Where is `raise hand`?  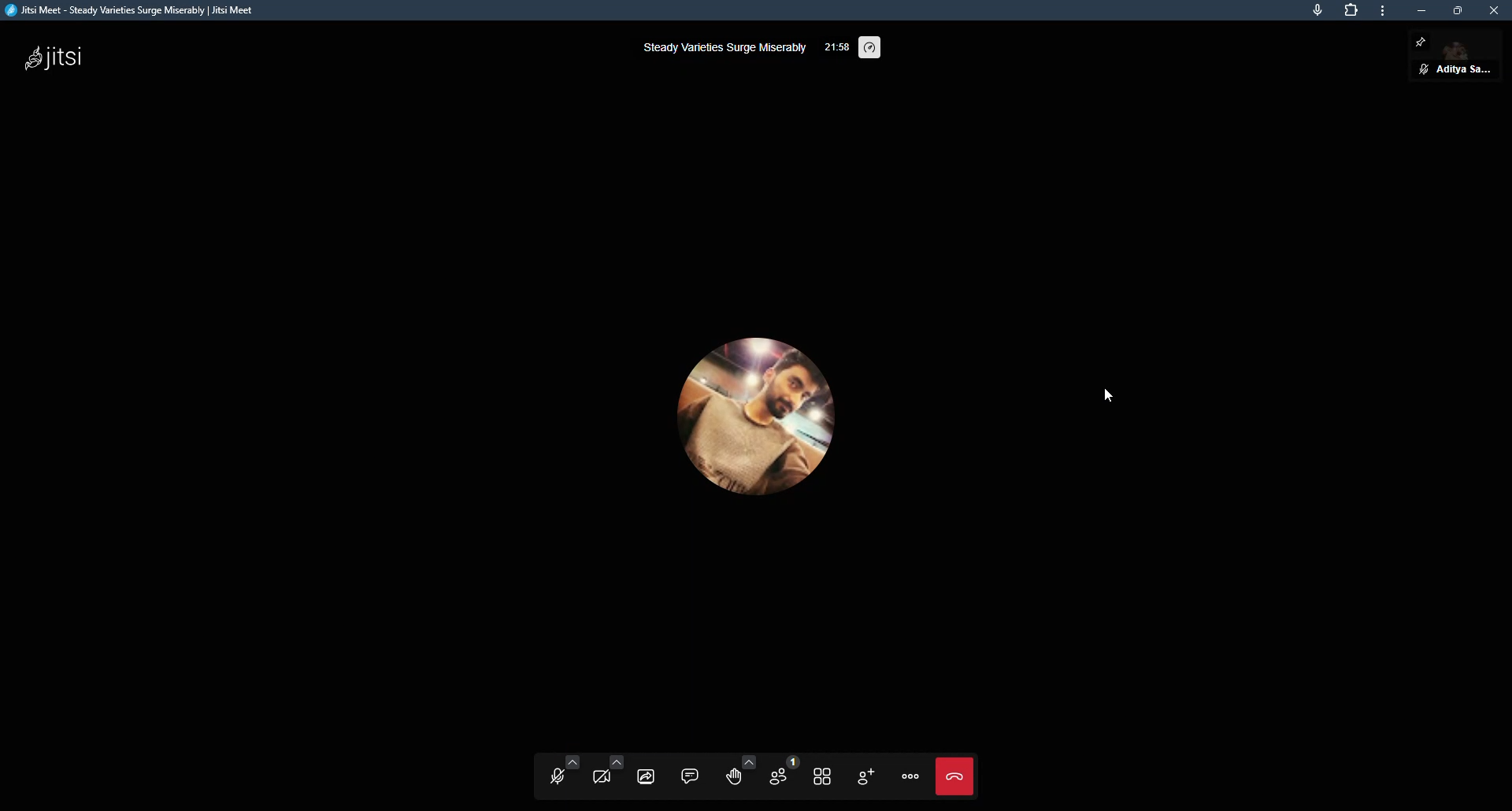 raise hand is located at coordinates (739, 772).